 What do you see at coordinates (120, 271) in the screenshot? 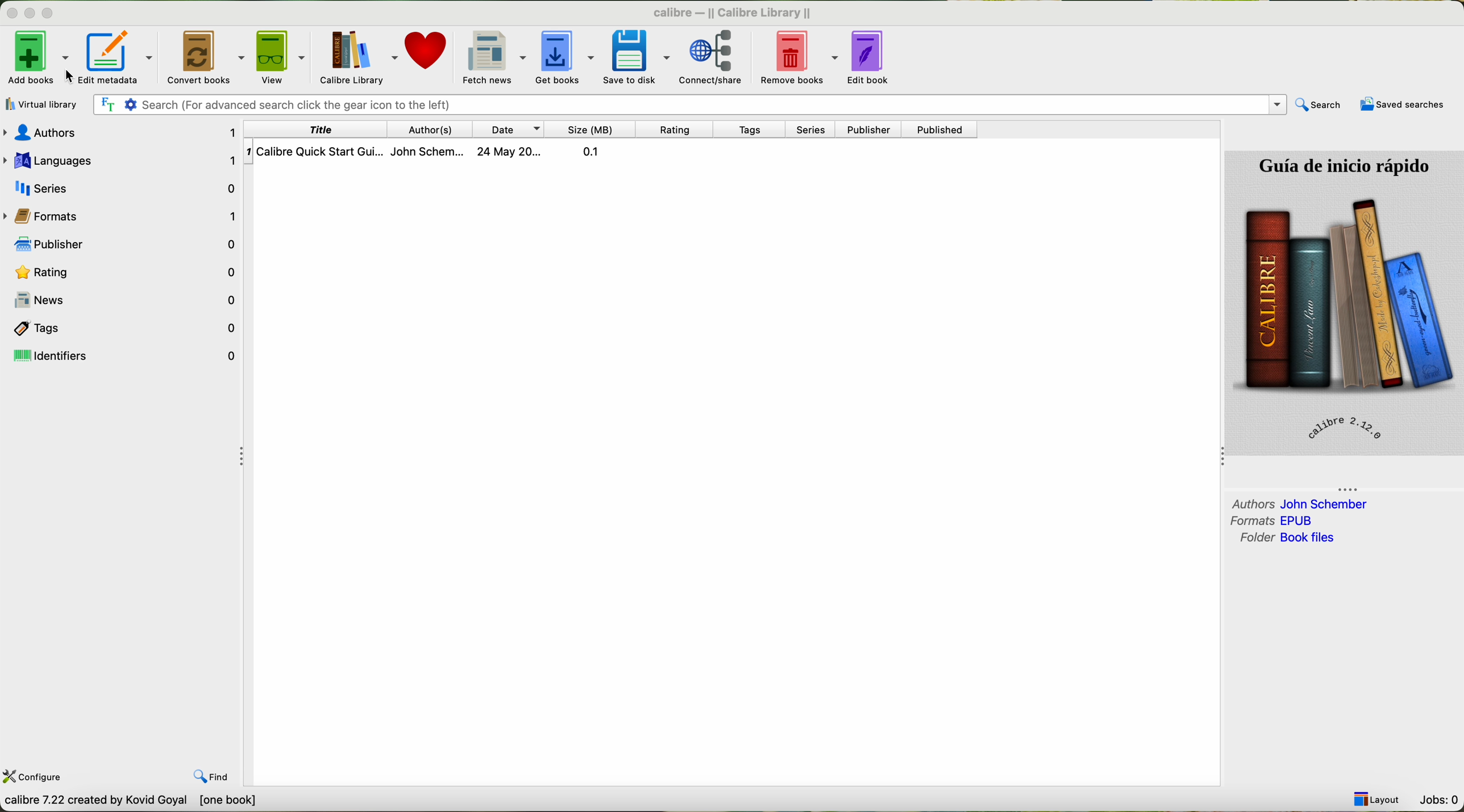
I see `rating` at bounding box center [120, 271].